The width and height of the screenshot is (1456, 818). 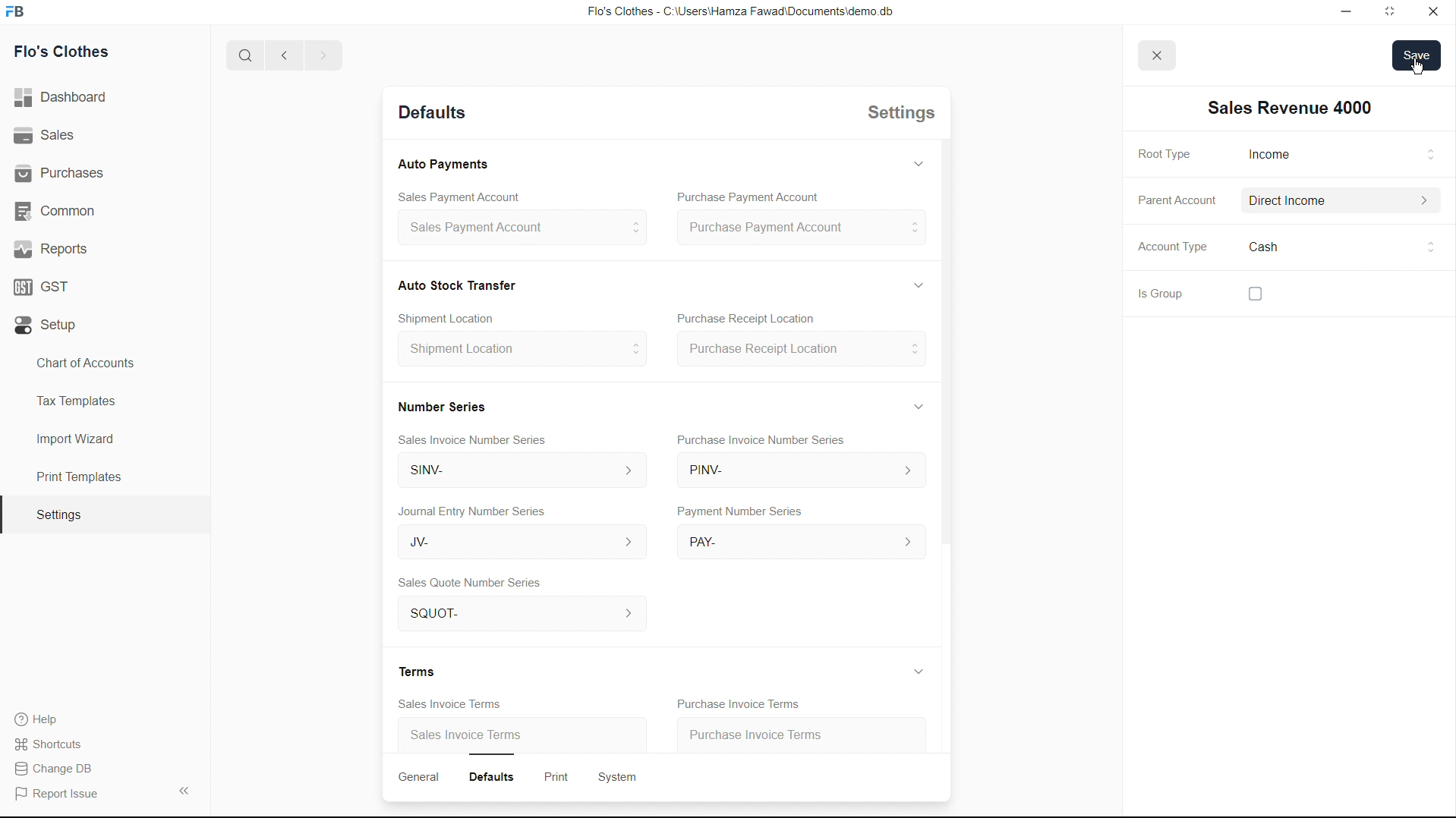 What do you see at coordinates (468, 737) in the screenshot?
I see `Sales Invoice Terms` at bounding box center [468, 737].